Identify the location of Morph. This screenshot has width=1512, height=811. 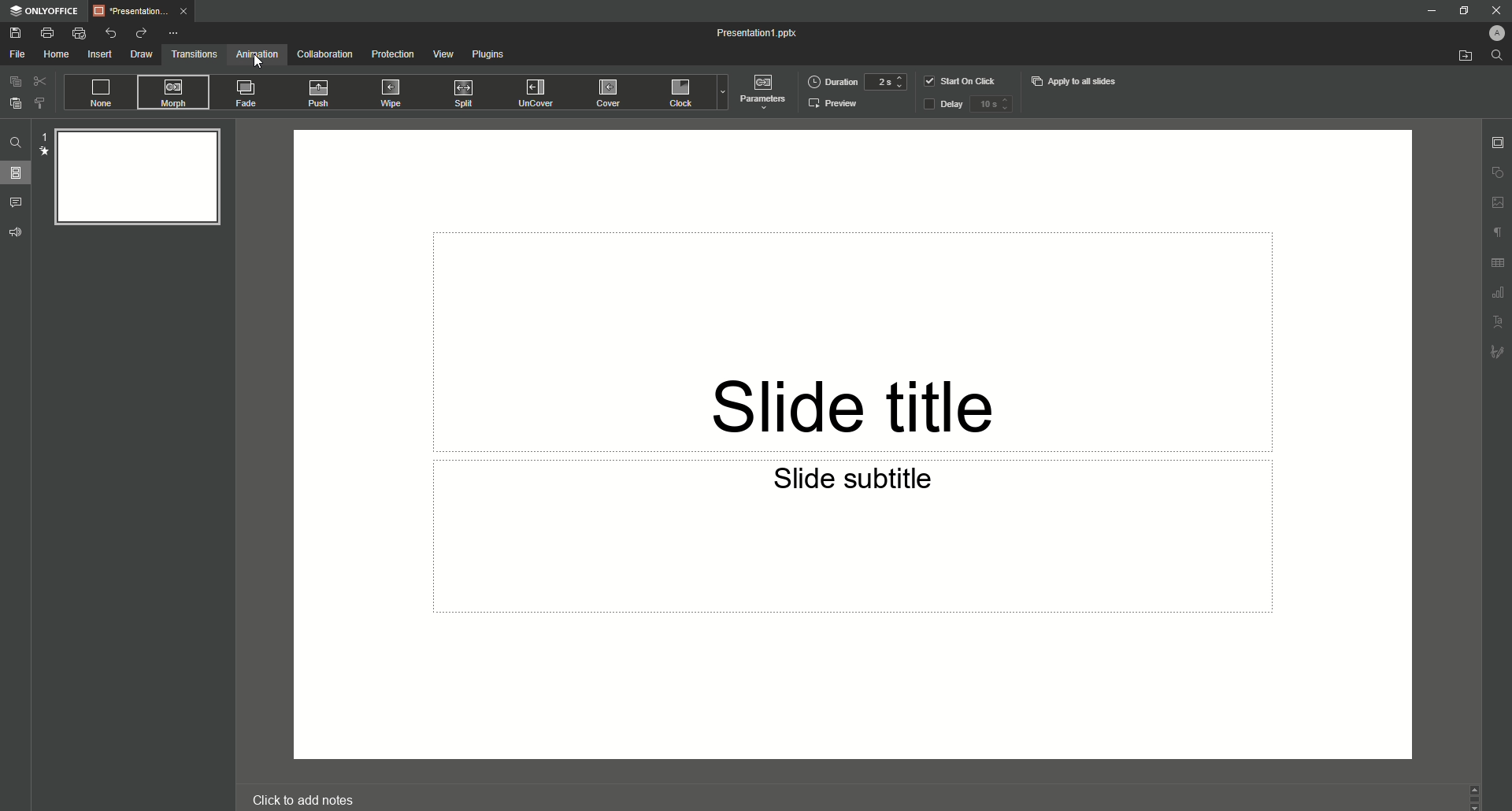
(171, 91).